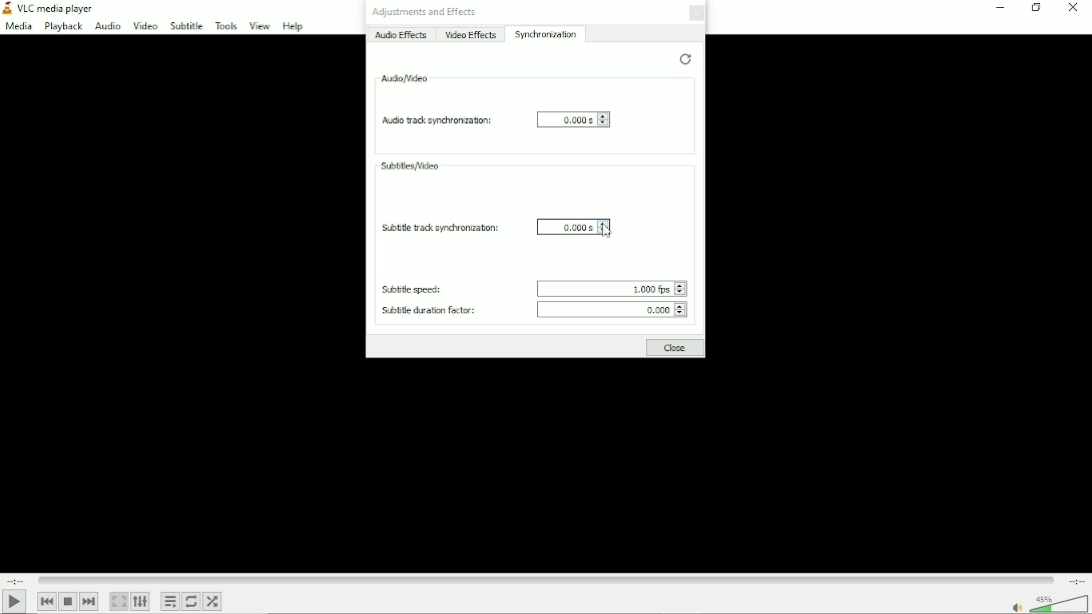 This screenshot has height=614, width=1092. I want to click on Video effects, so click(471, 36).